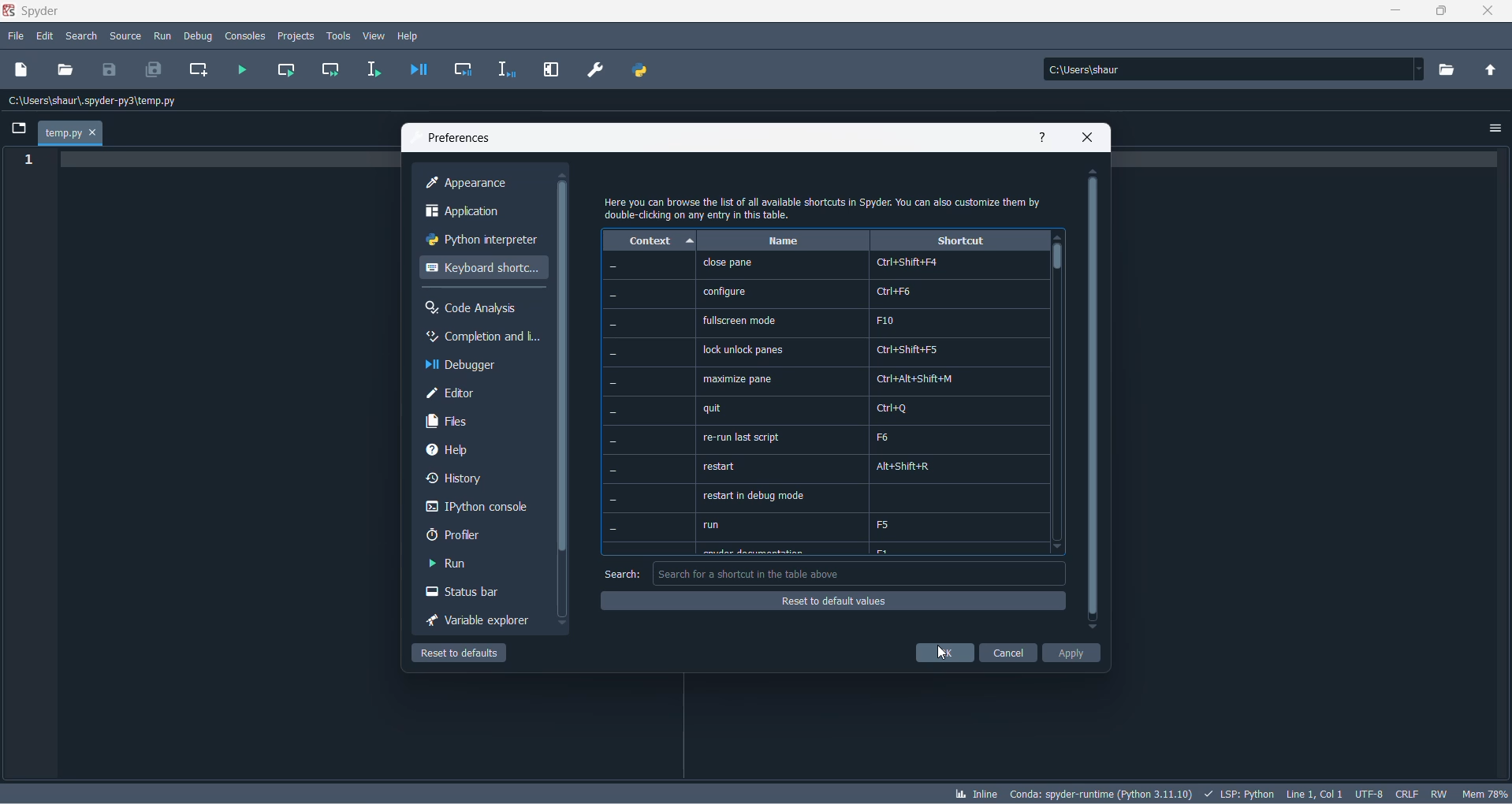 This screenshot has height=804, width=1512. What do you see at coordinates (1399, 13) in the screenshot?
I see `minimize` at bounding box center [1399, 13].